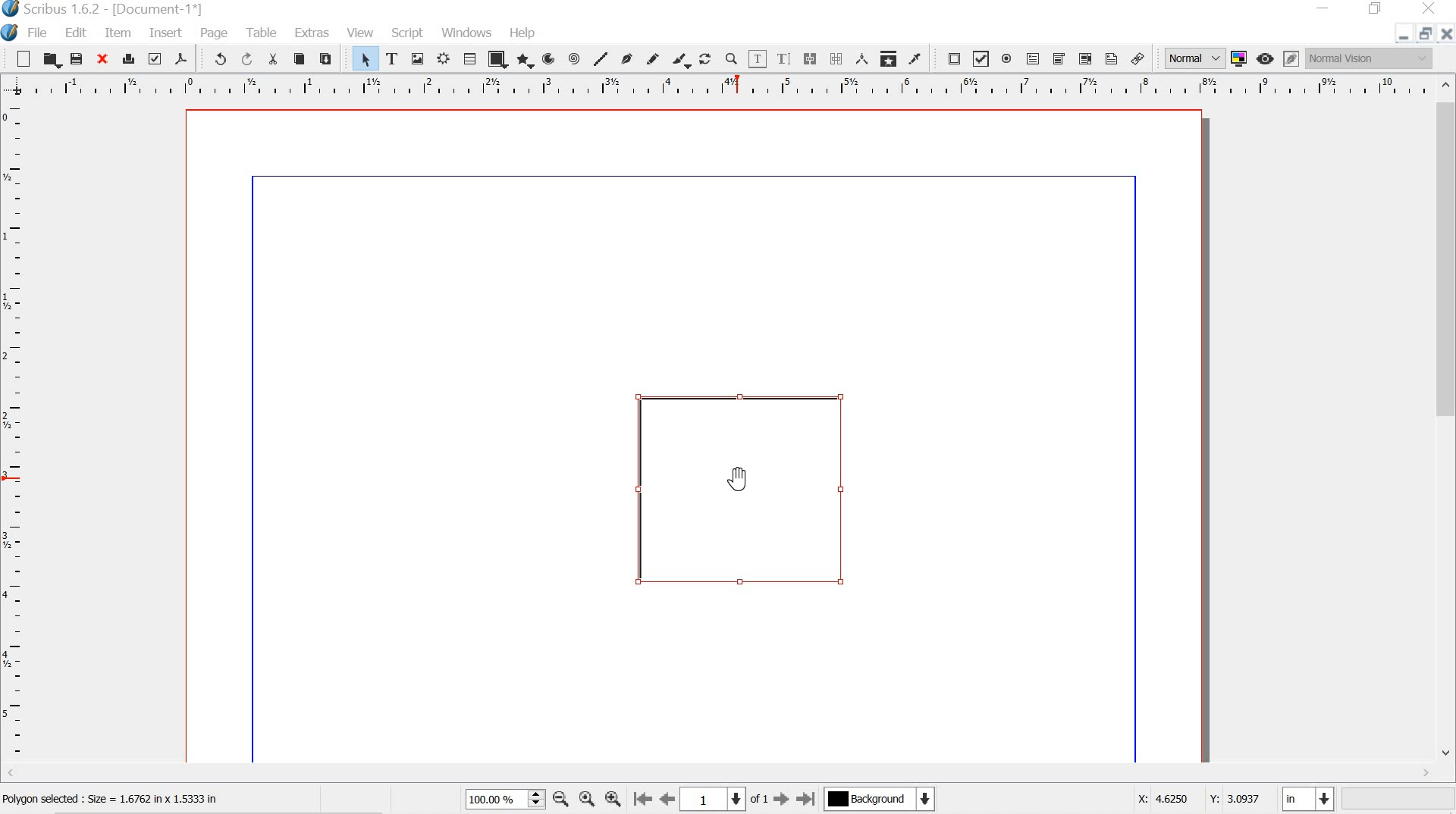 This screenshot has width=1456, height=814. I want to click on zoom to, so click(589, 800).